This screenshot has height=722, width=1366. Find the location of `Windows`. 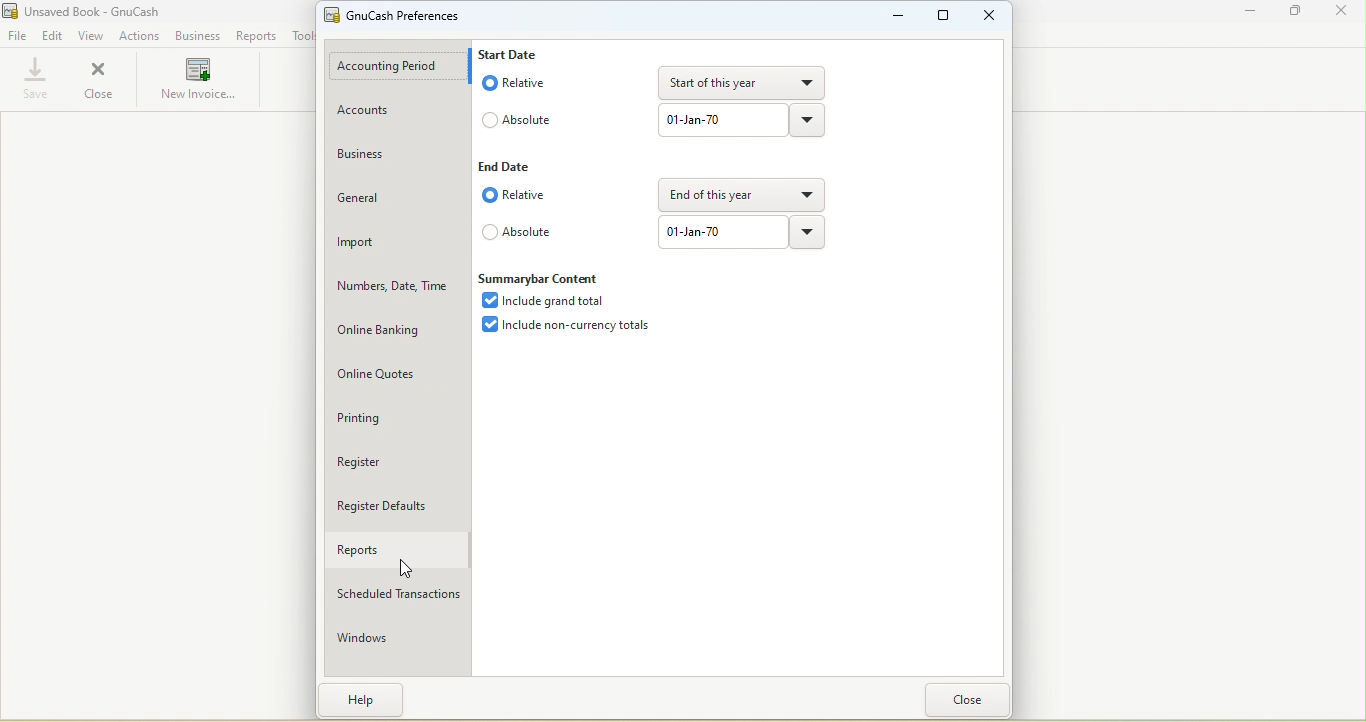

Windows is located at coordinates (393, 637).